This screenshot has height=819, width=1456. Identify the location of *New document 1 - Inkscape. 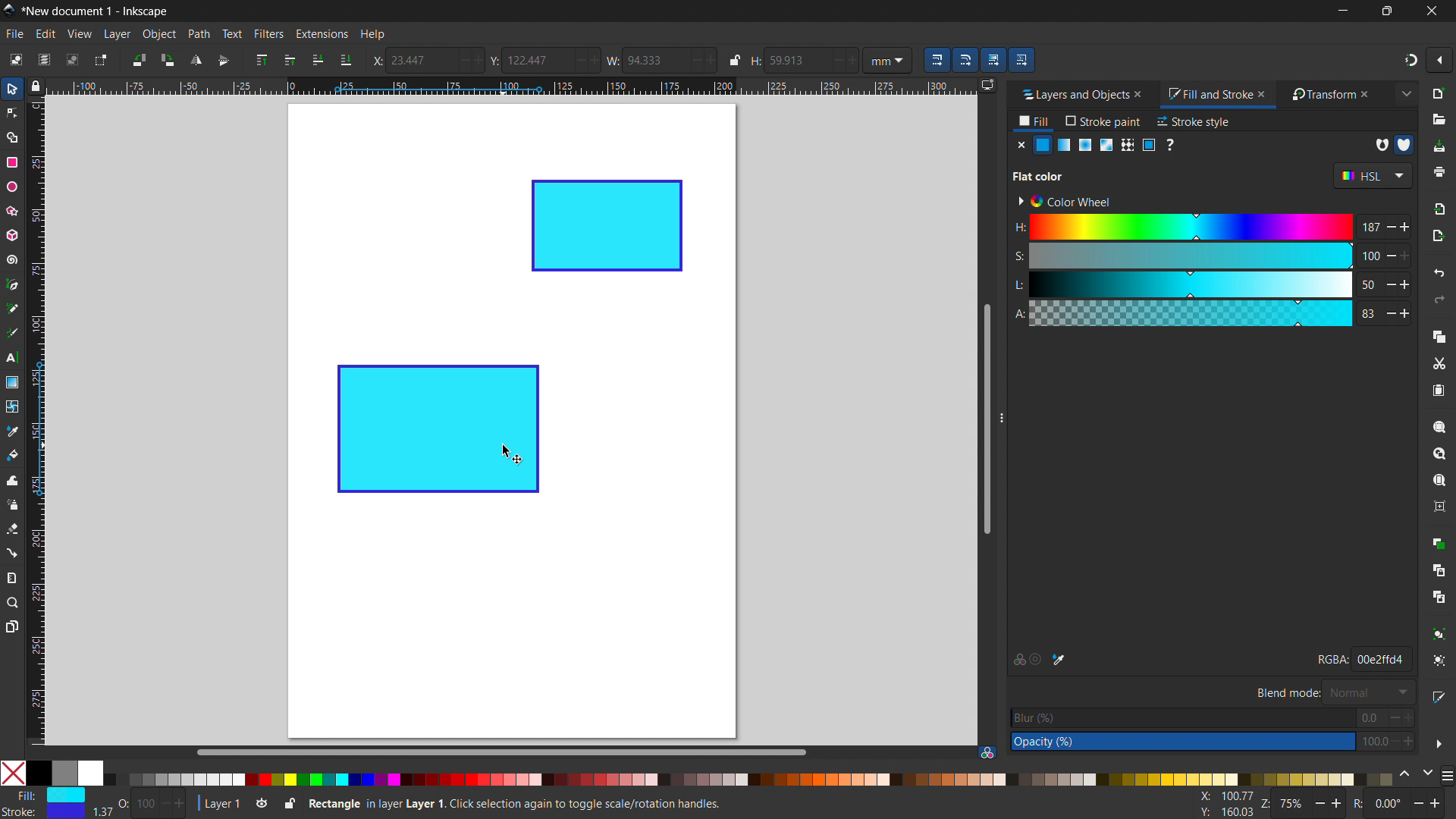
(96, 11).